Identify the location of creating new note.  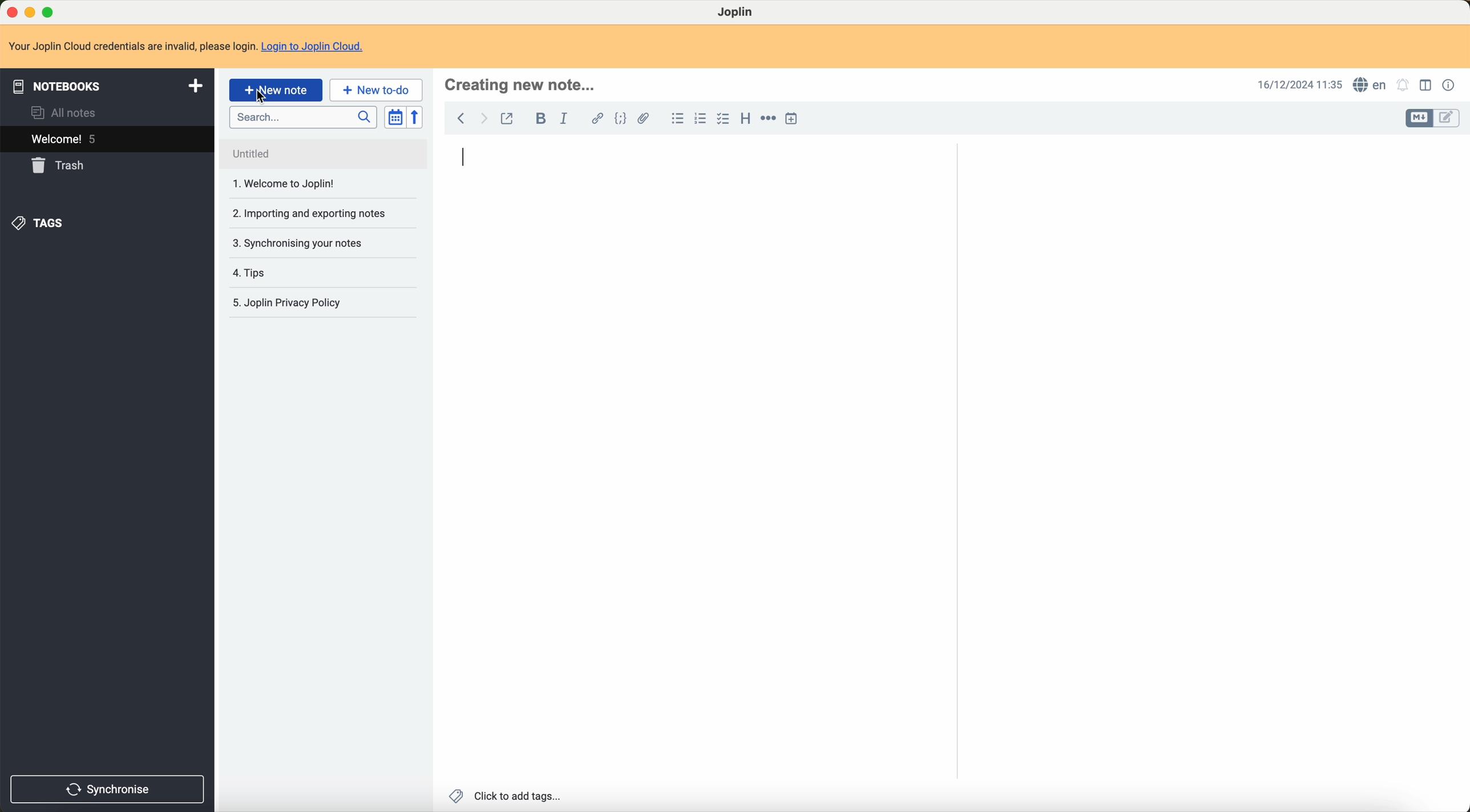
(522, 85).